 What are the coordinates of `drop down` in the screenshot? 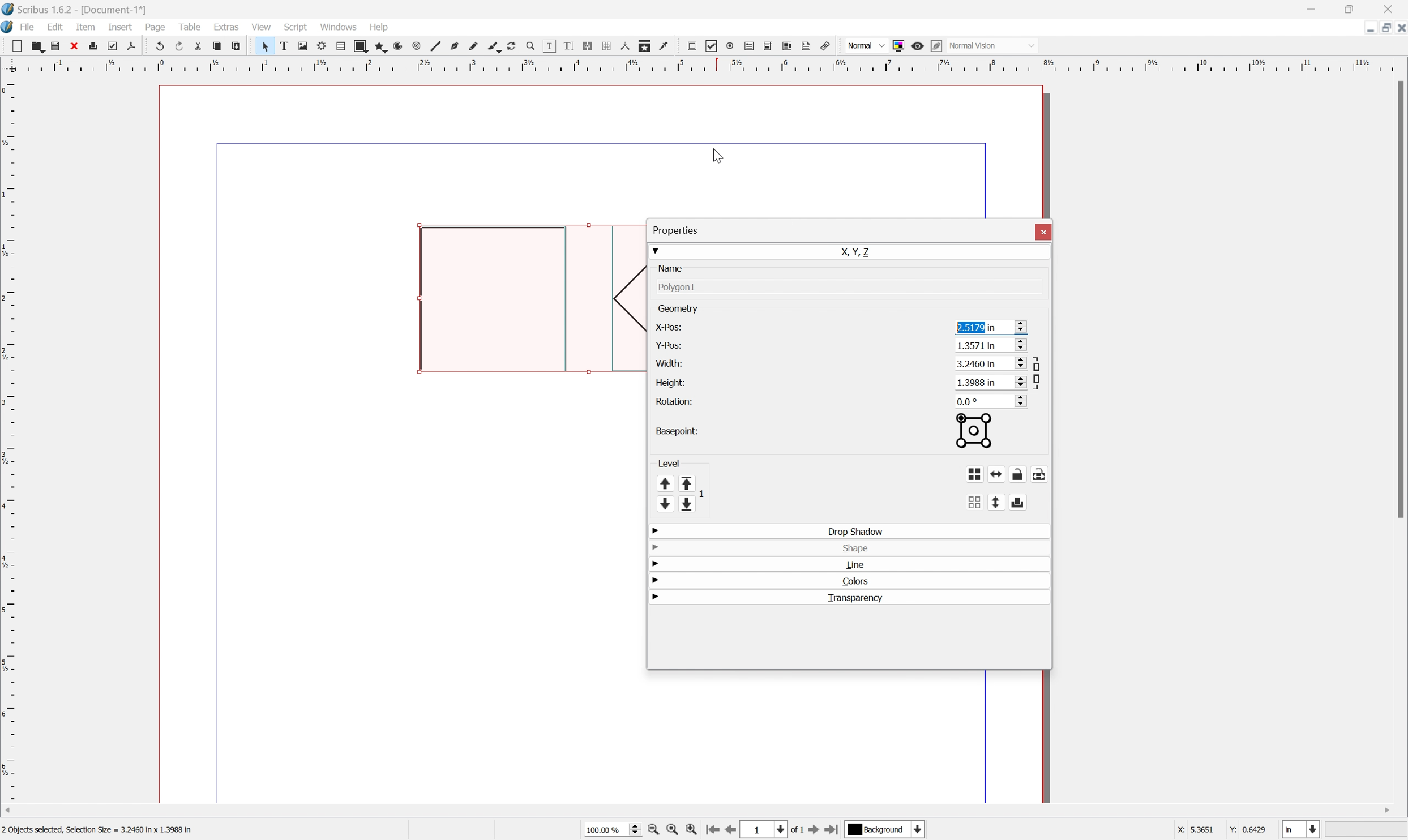 It's located at (656, 597).